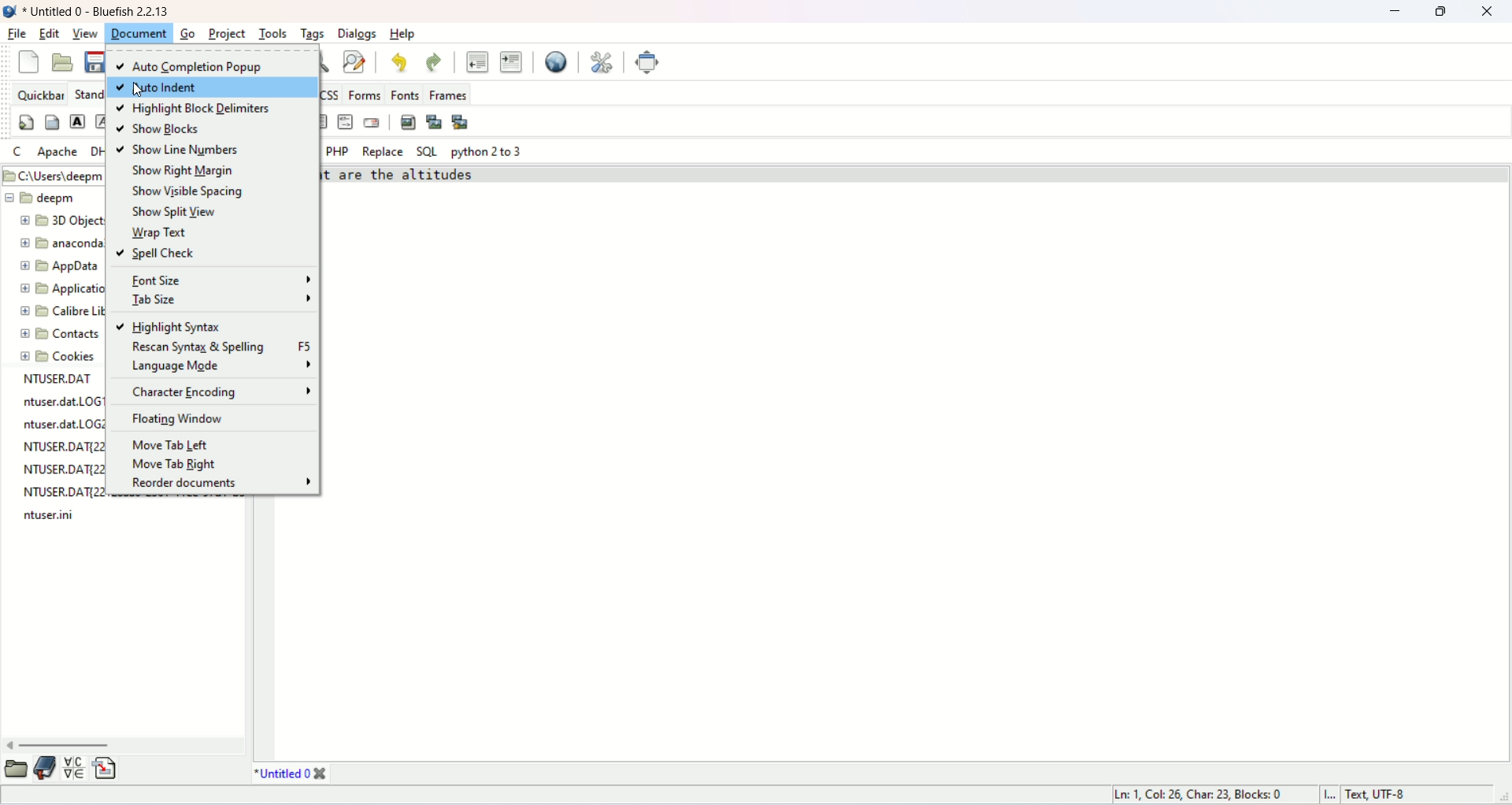 The height and width of the screenshot is (805, 1512). I want to click on spell check, so click(161, 254).